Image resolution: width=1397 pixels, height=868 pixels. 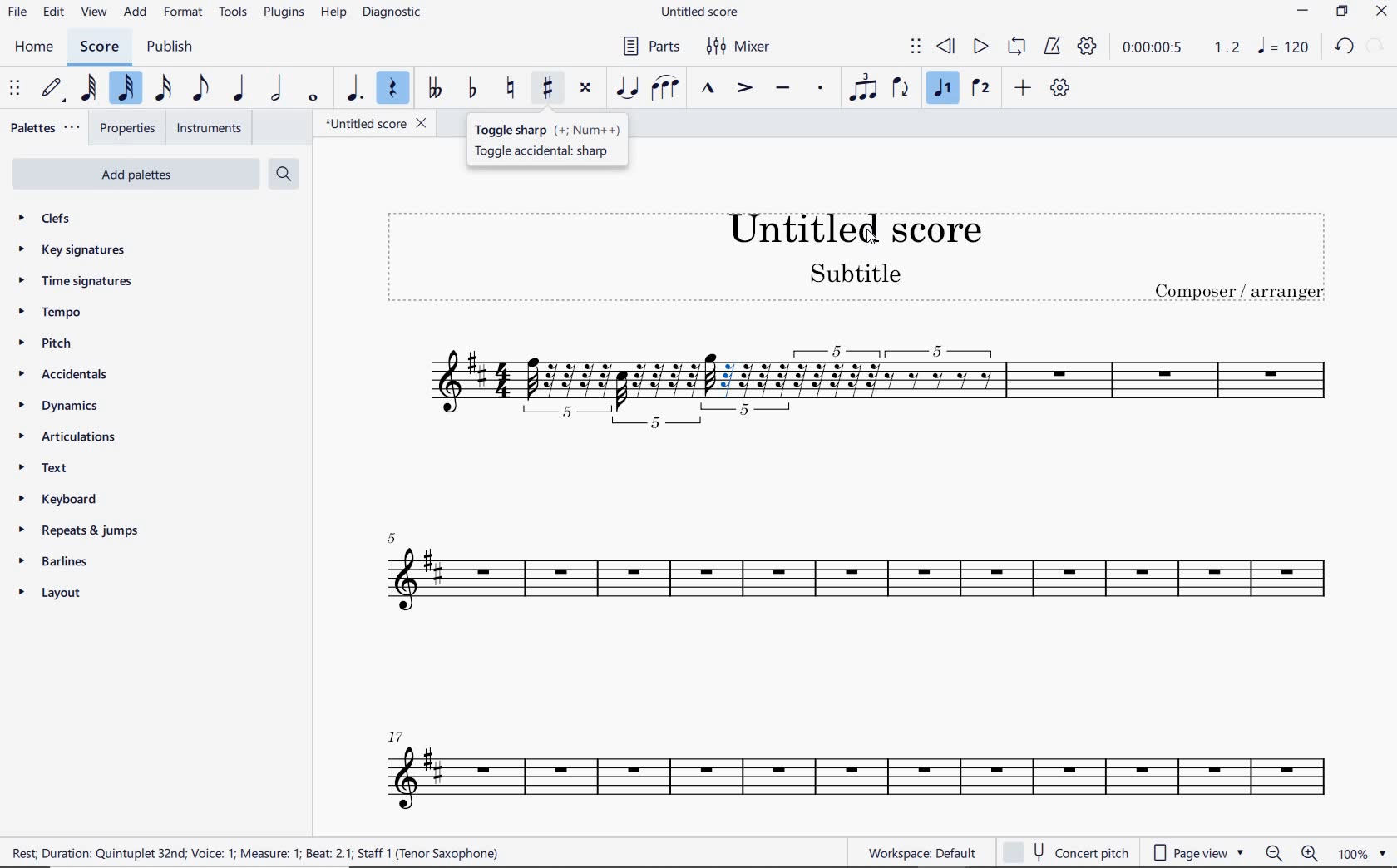 I want to click on TEXT, so click(x=72, y=470).